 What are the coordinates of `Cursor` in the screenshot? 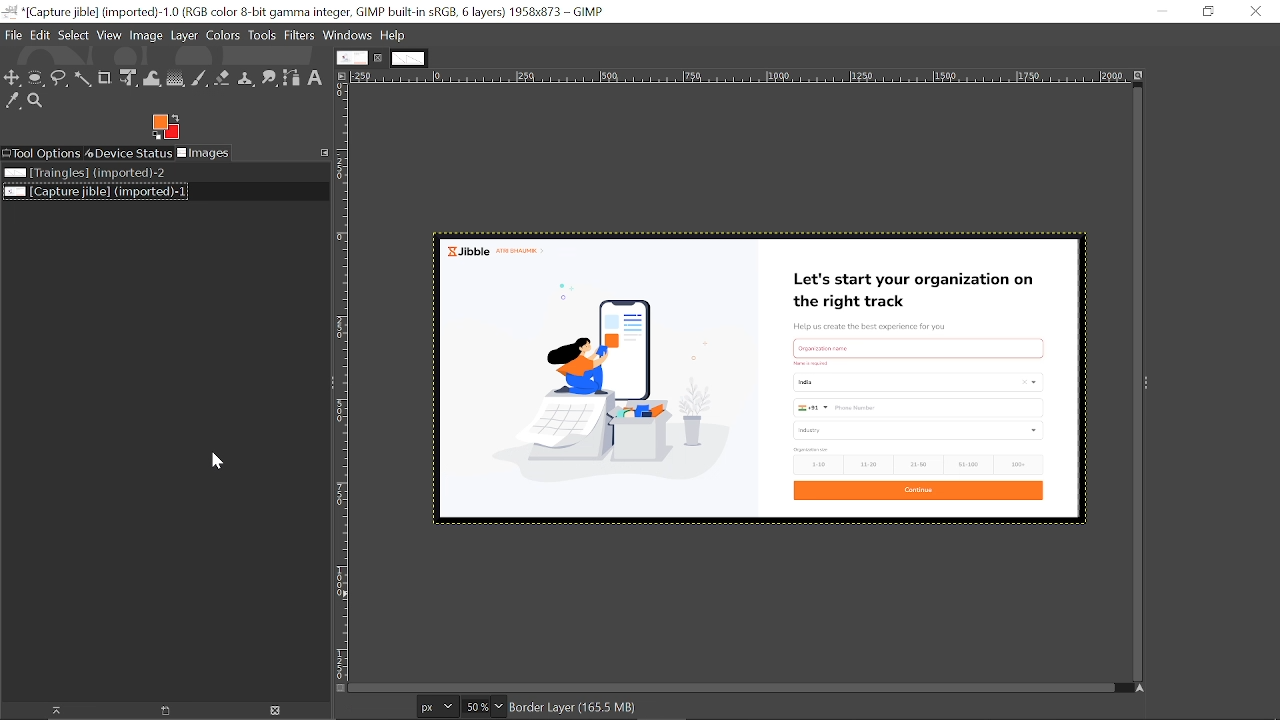 It's located at (212, 465).